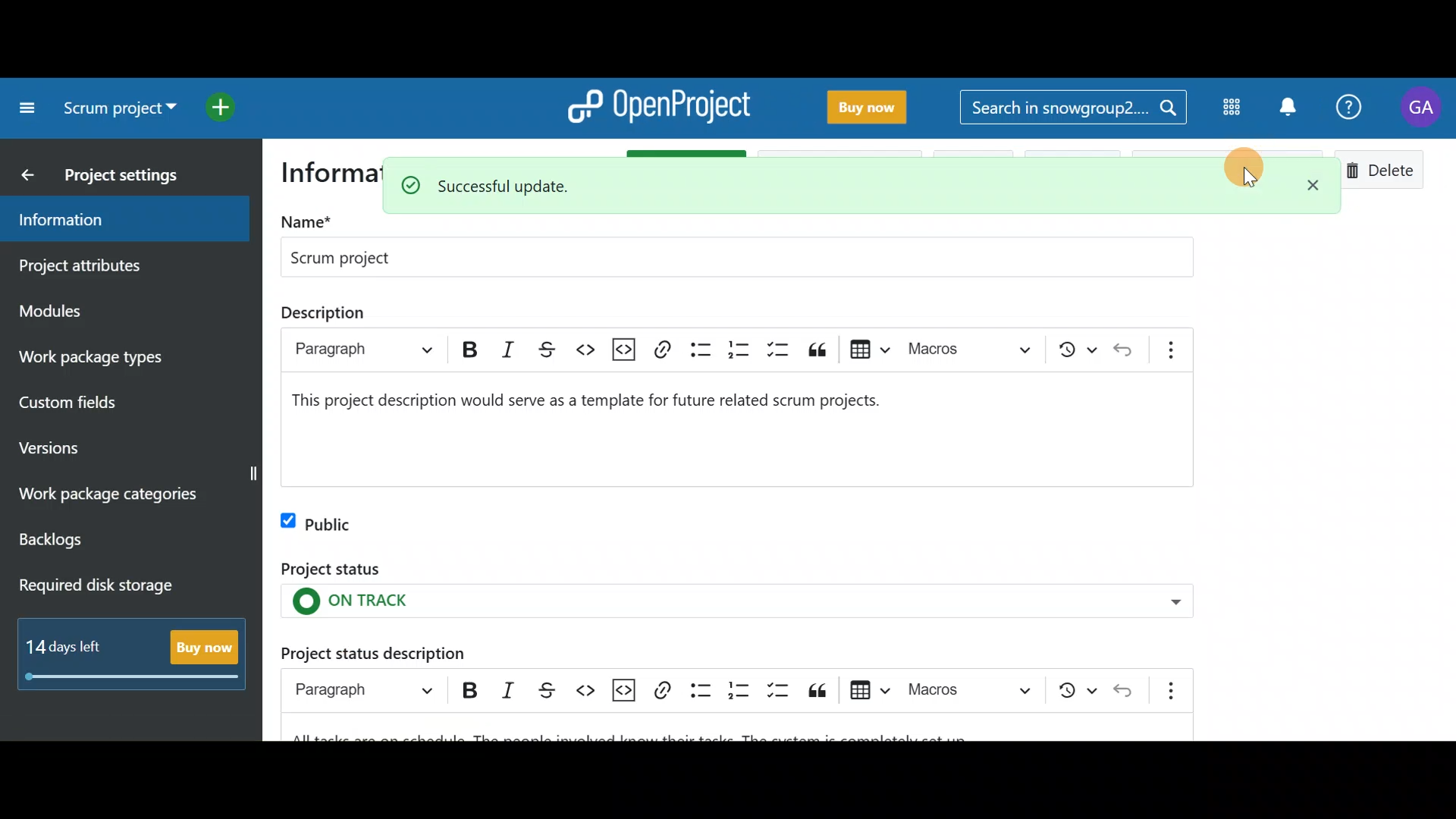 This screenshot has width=1456, height=819. I want to click on undo, so click(1122, 349).